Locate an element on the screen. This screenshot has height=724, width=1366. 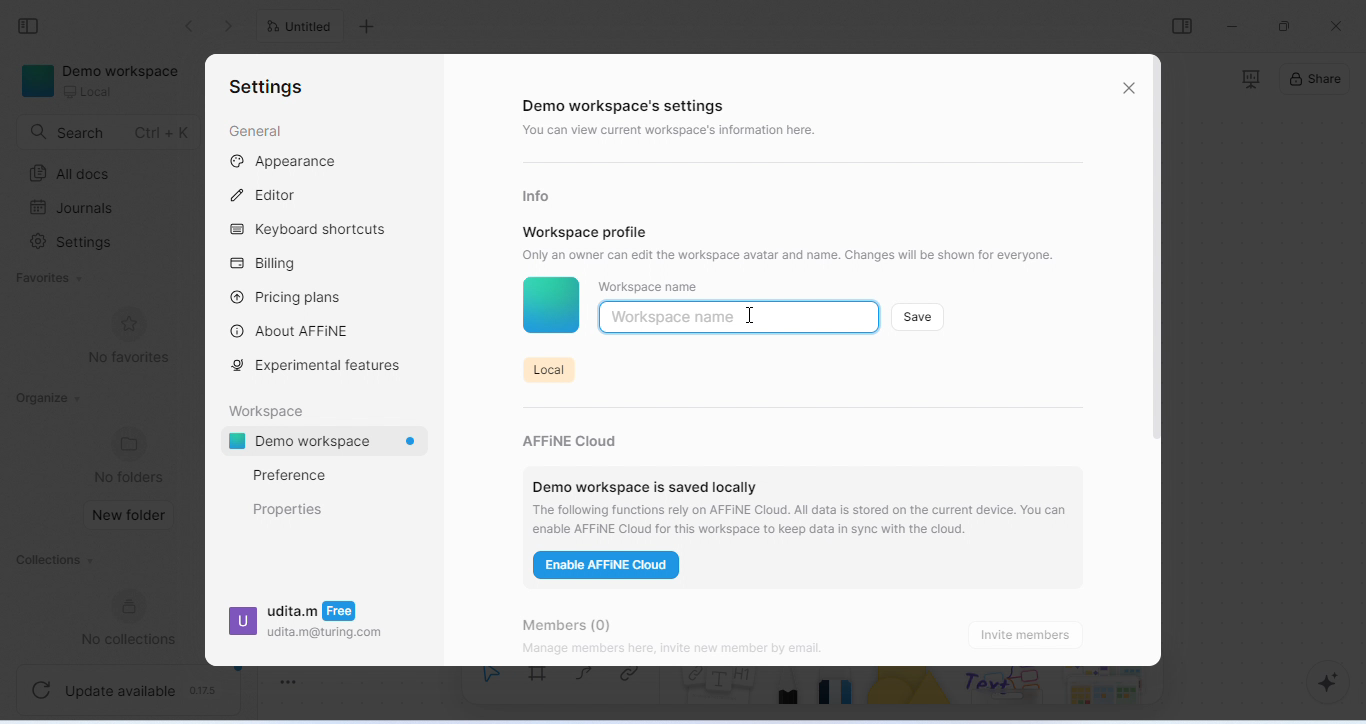
demo workspace is located at coordinates (330, 443).